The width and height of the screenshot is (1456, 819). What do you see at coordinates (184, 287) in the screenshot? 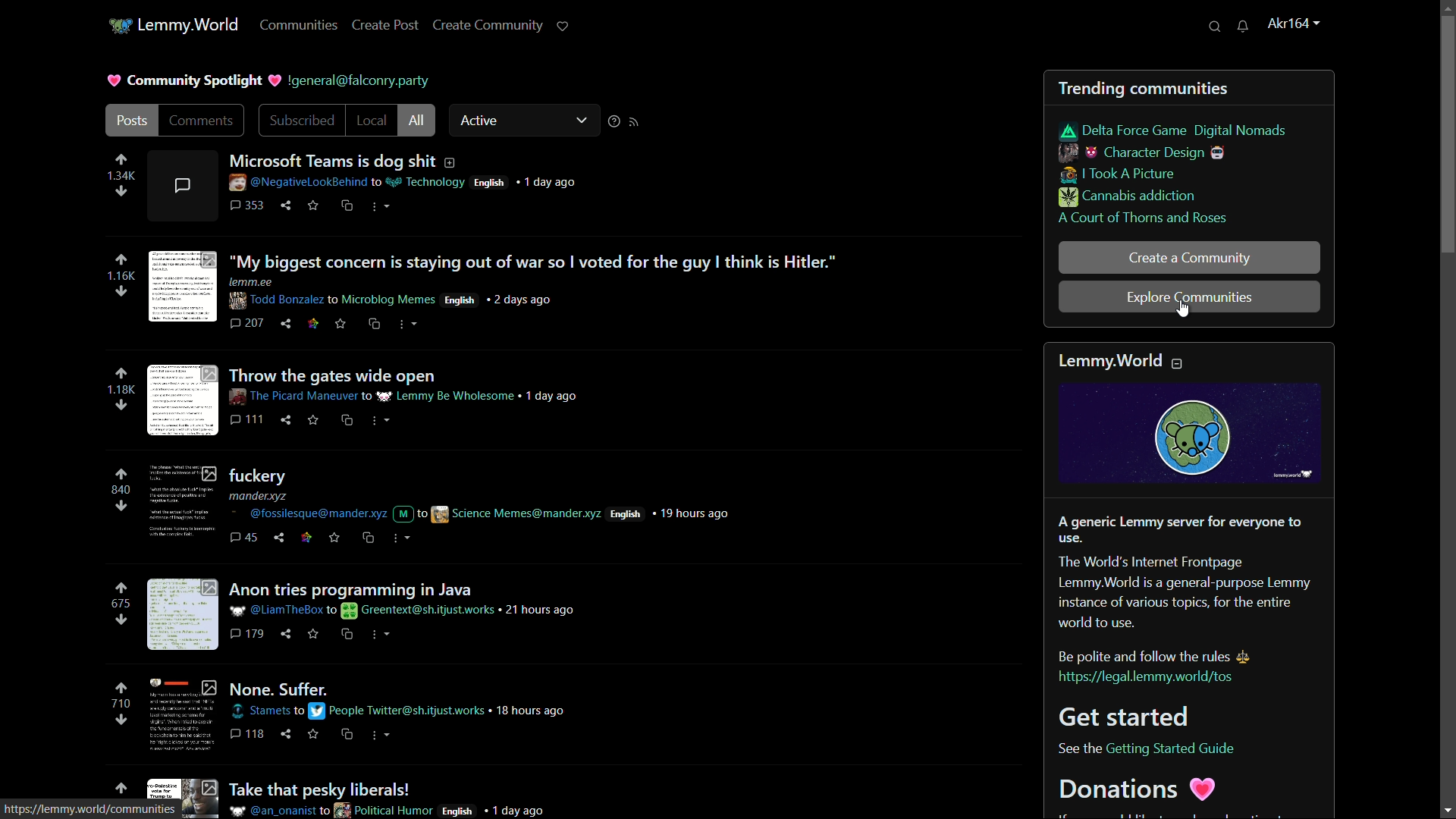
I see `image` at bounding box center [184, 287].